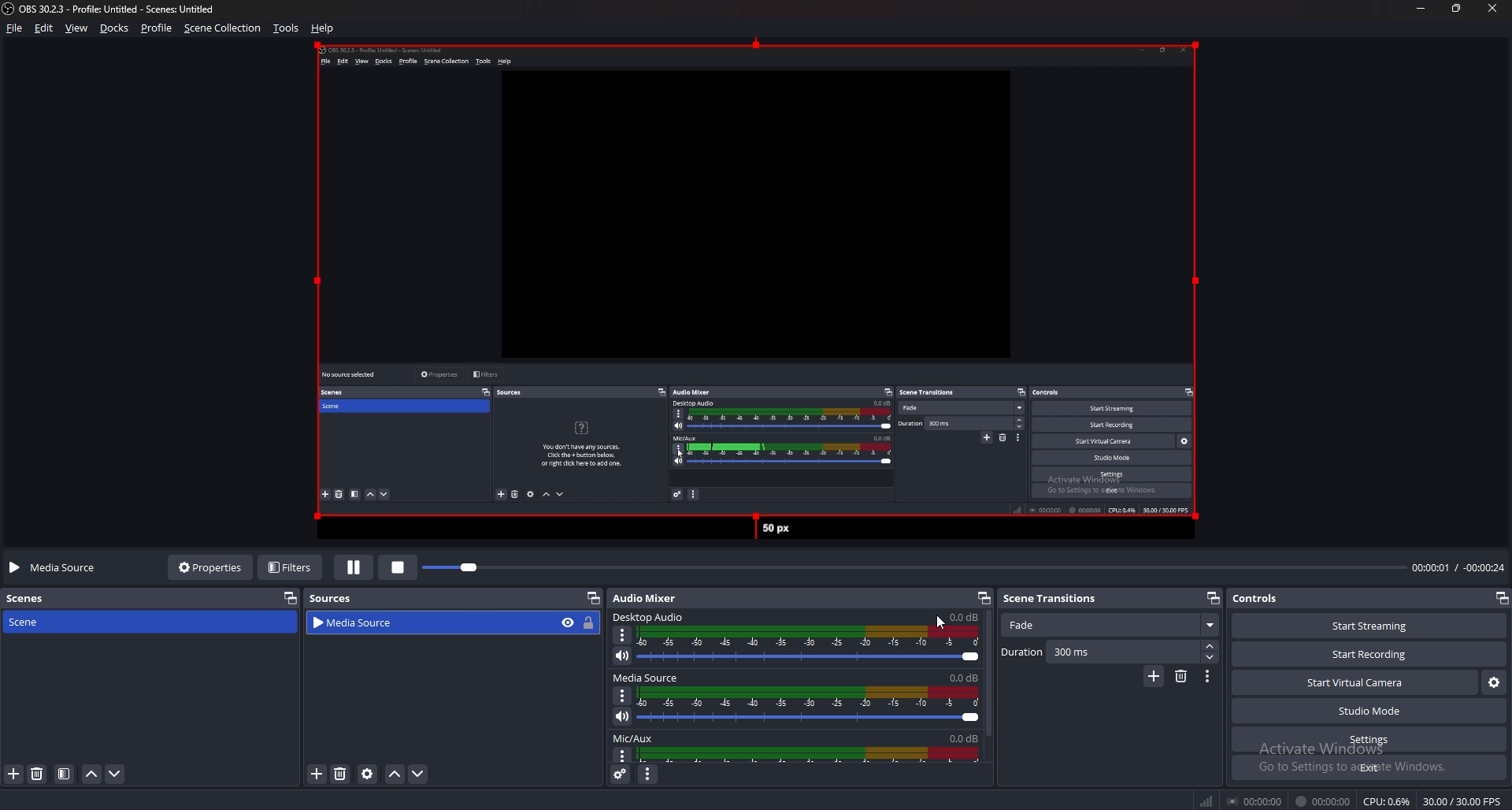  Describe the element at coordinates (117, 28) in the screenshot. I see `Docks` at that location.